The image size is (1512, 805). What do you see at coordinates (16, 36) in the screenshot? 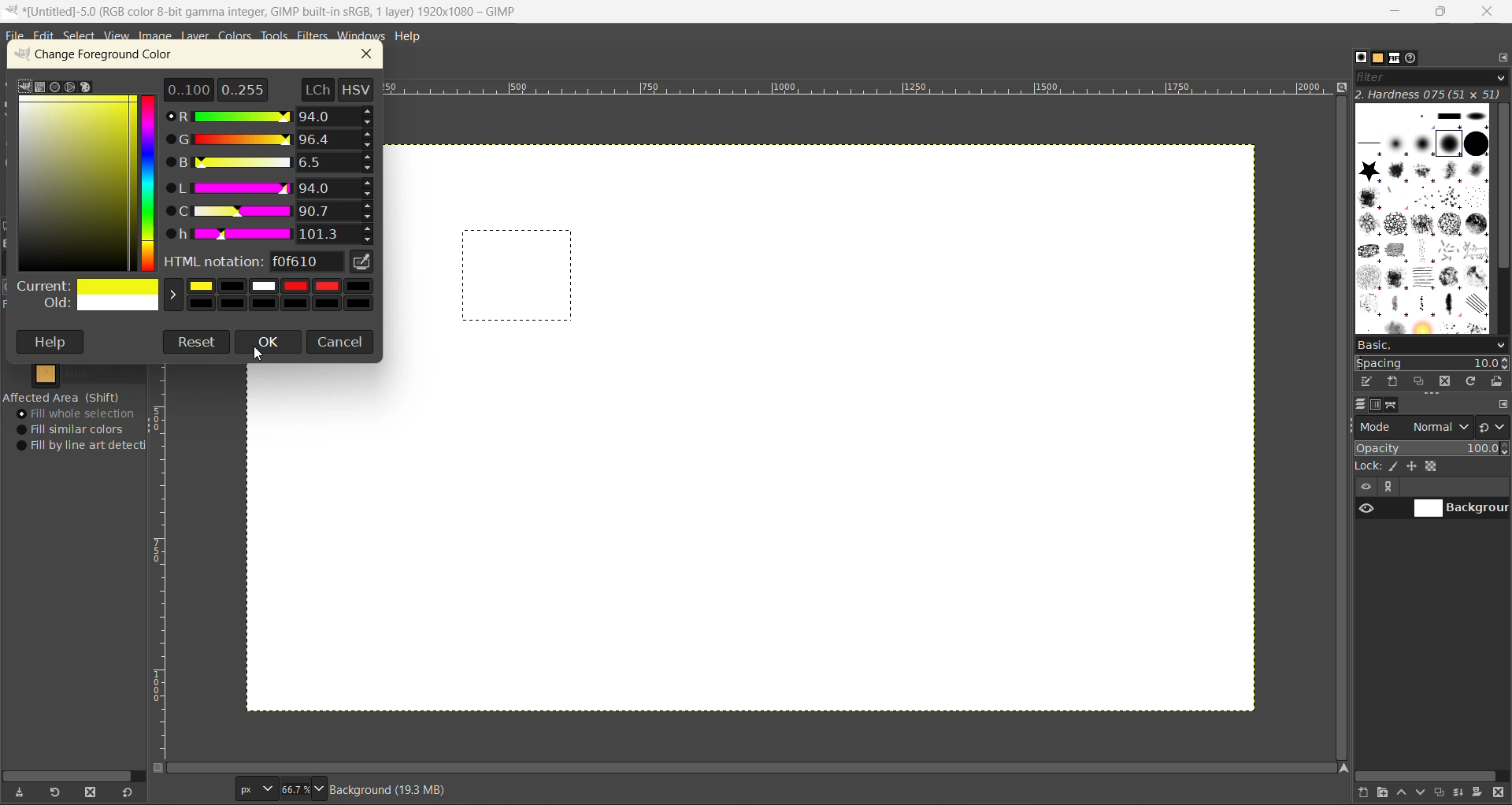
I see `file` at bounding box center [16, 36].